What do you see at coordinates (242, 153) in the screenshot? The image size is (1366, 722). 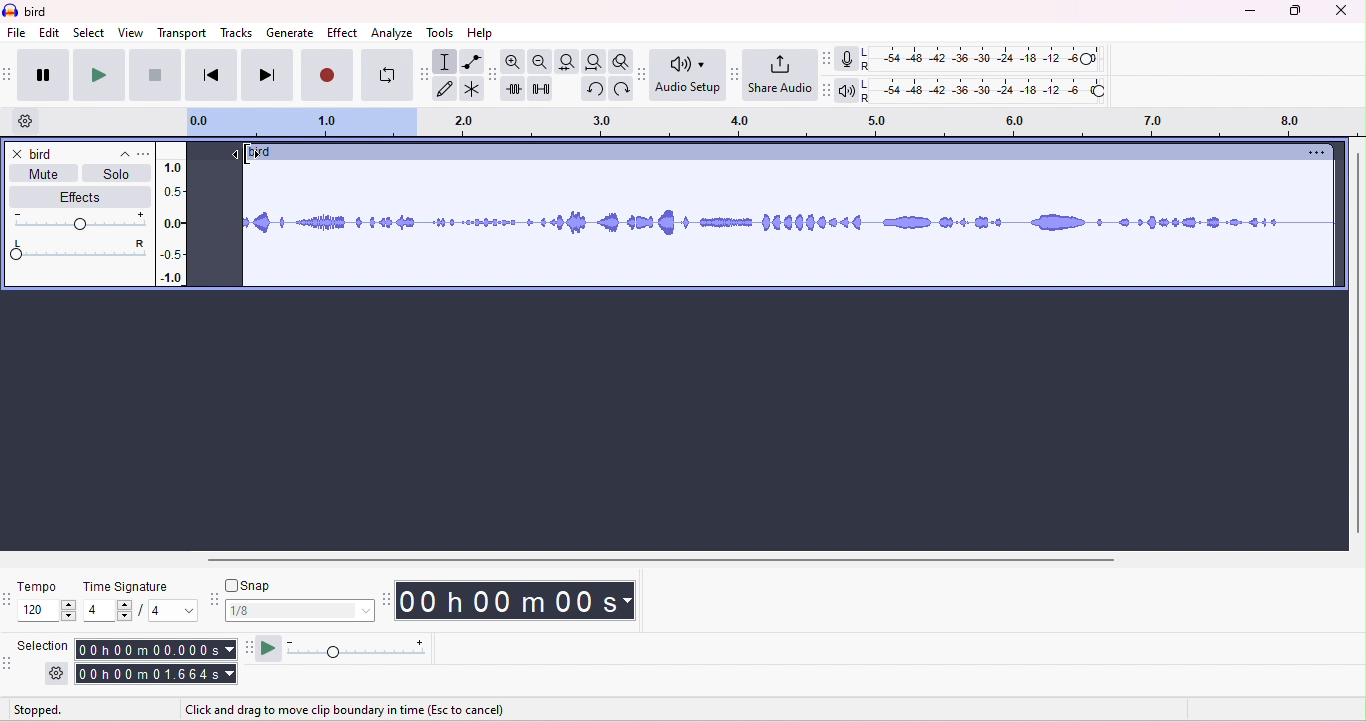 I see `cursor position` at bounding box center [242, 153].